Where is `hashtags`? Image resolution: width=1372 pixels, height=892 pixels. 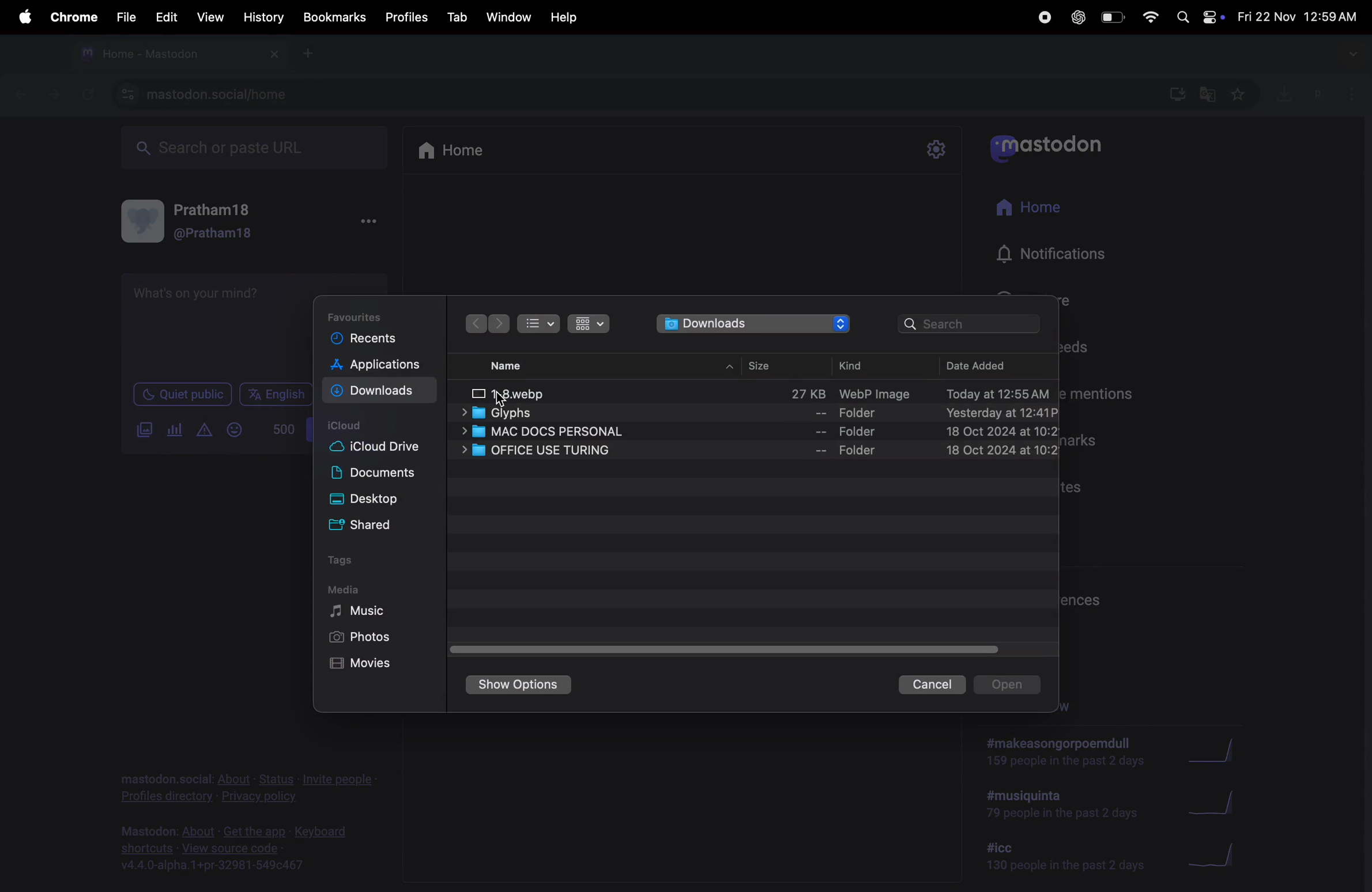
hashtags is located at coordinates (1049, 857).